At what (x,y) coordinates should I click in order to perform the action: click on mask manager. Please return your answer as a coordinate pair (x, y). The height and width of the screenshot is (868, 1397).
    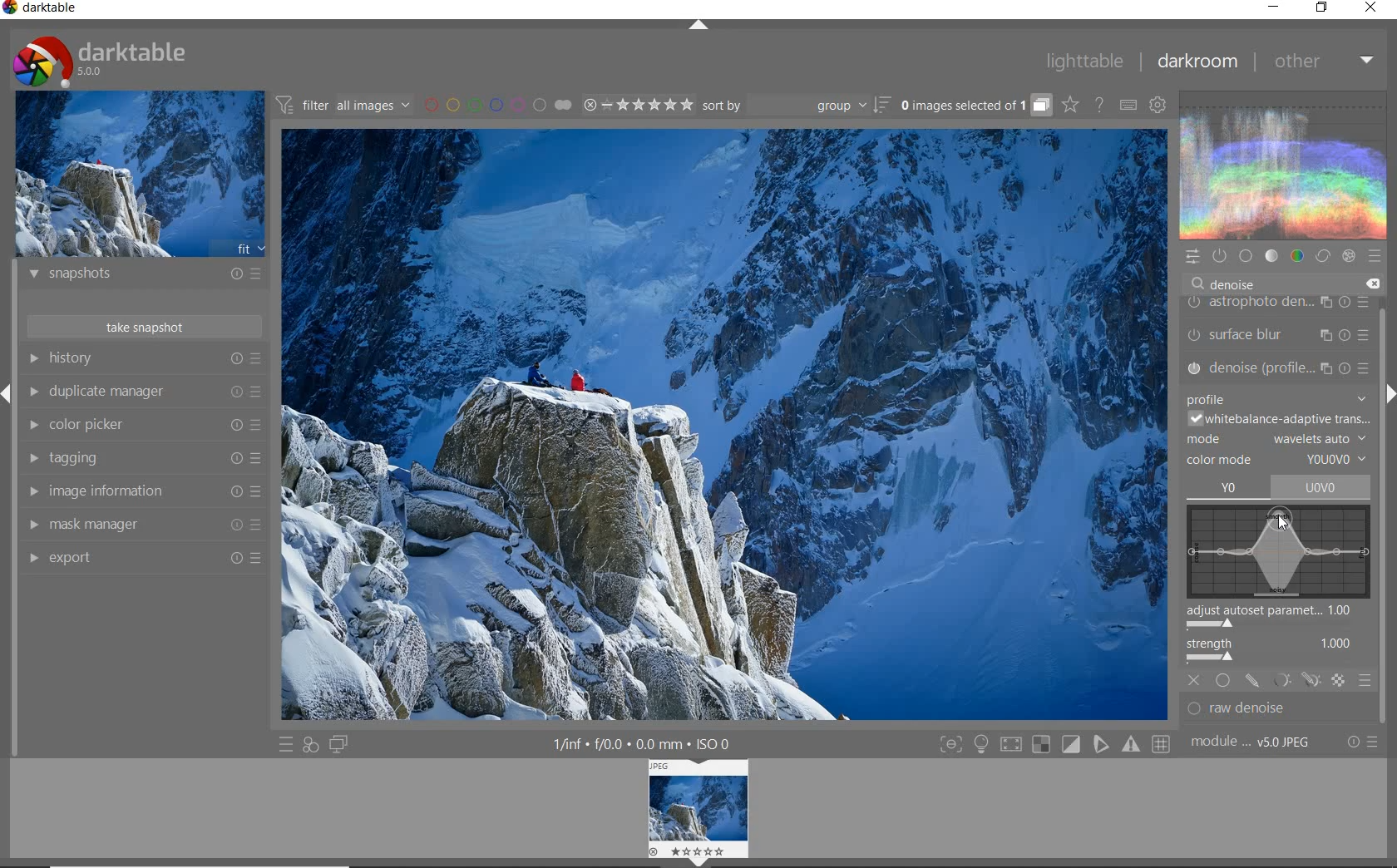
    Looking at the image, I should click on (142, 525).